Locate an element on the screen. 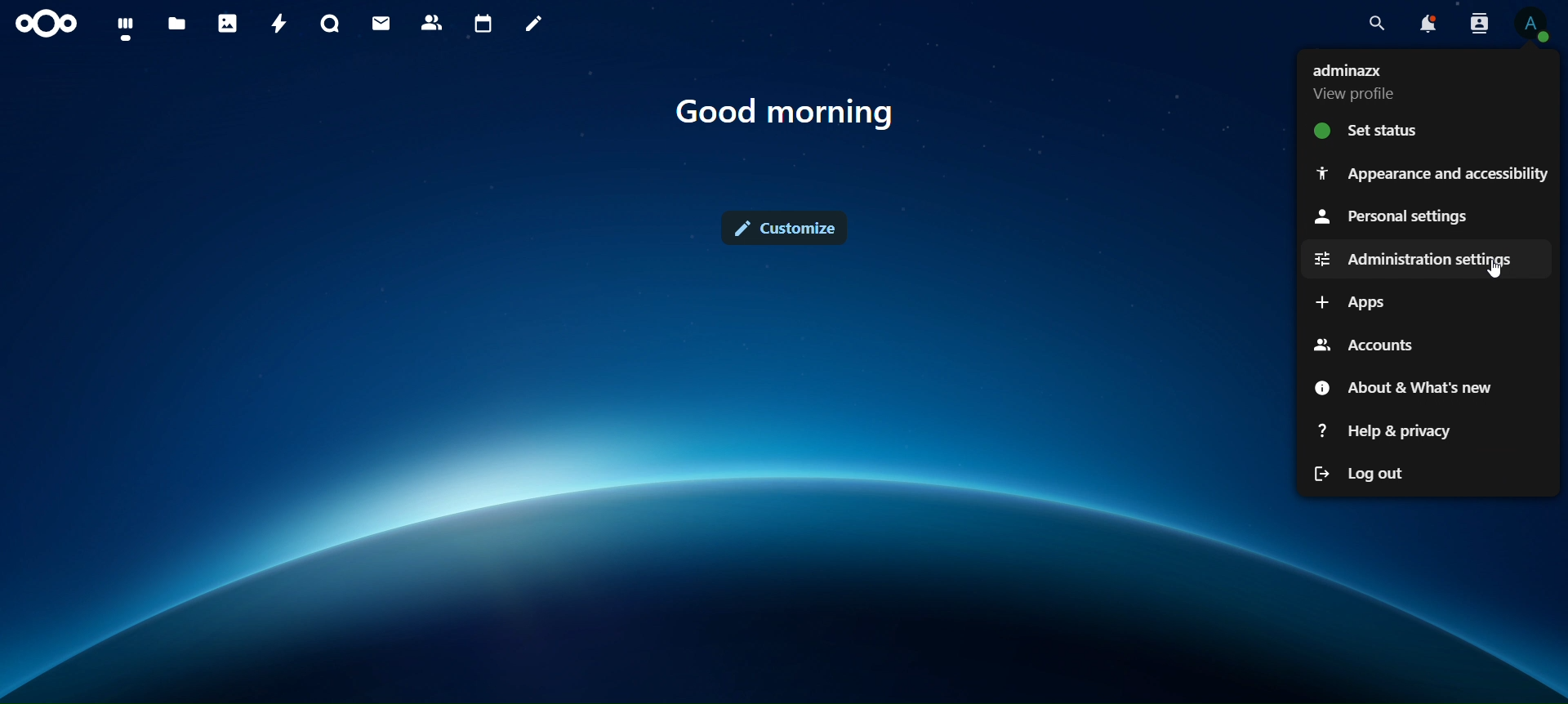  help & privacy is located at coordinates (1388, 430).